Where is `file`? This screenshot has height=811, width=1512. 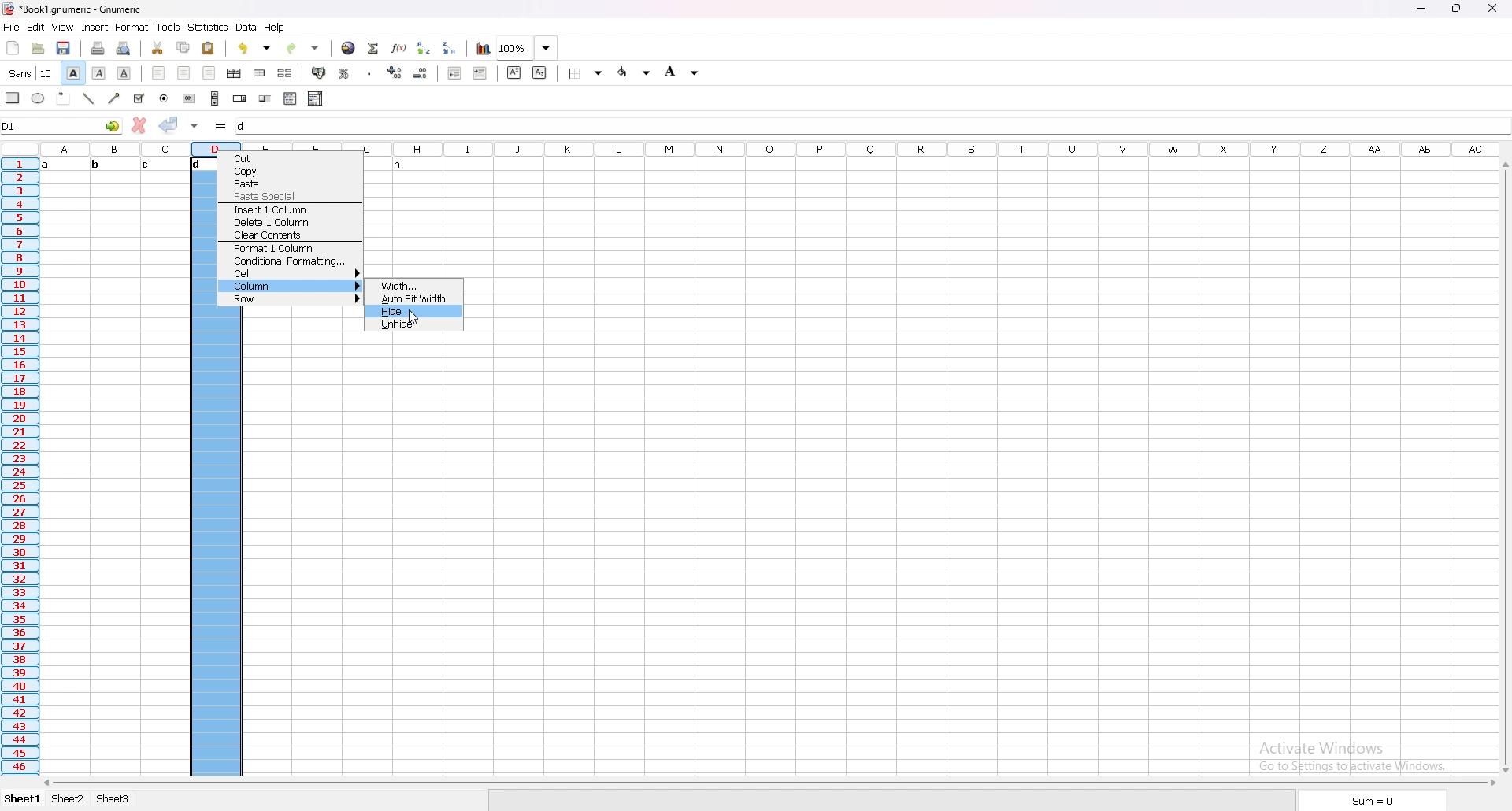 file is located at coordinates (12, 26).